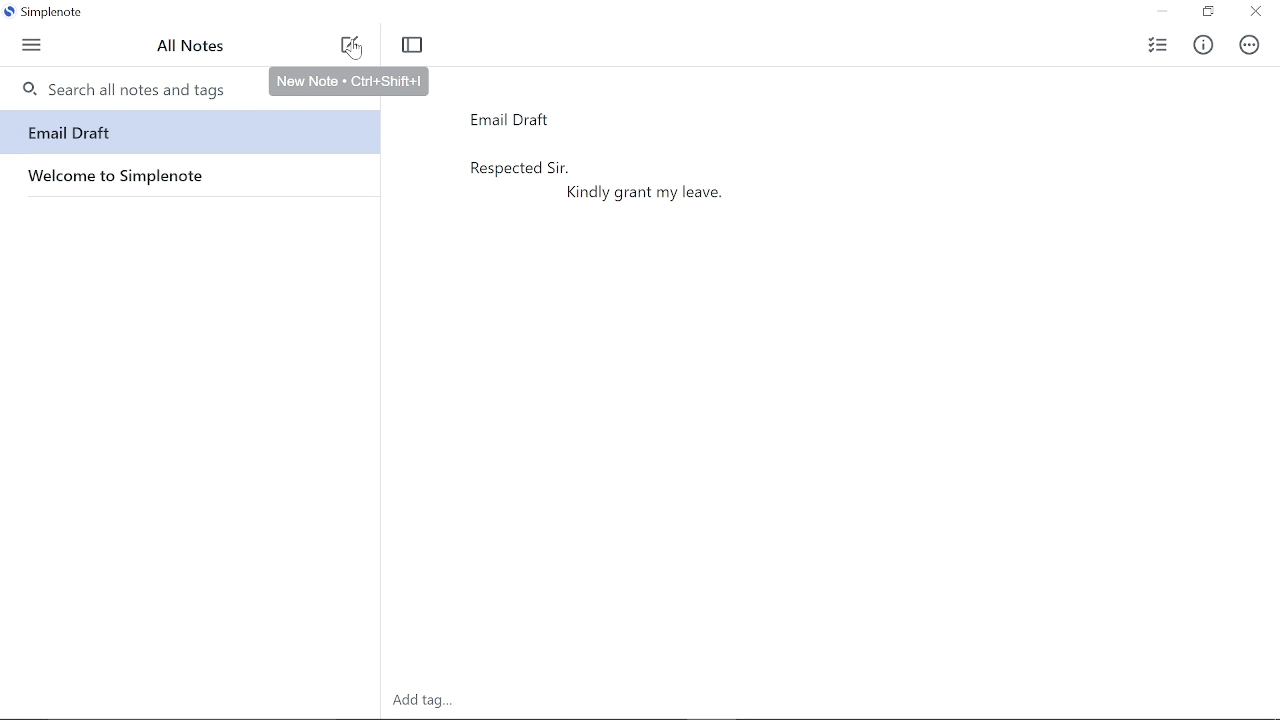 The height and width of the screenshot is (720, 1280). I want to click on Info, so click(1202, 44).